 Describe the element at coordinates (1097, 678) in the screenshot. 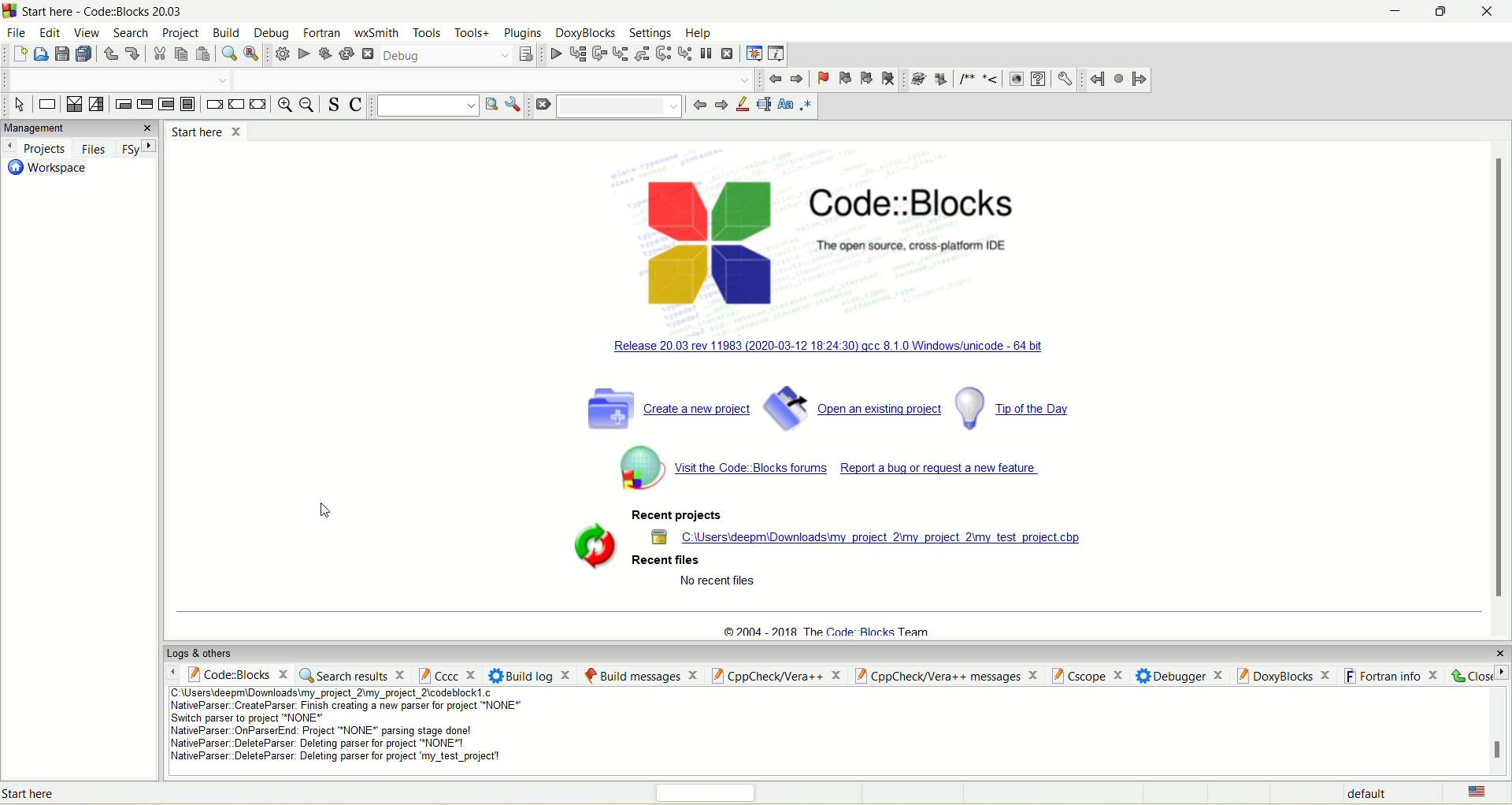

I see `Cscope` at that location.